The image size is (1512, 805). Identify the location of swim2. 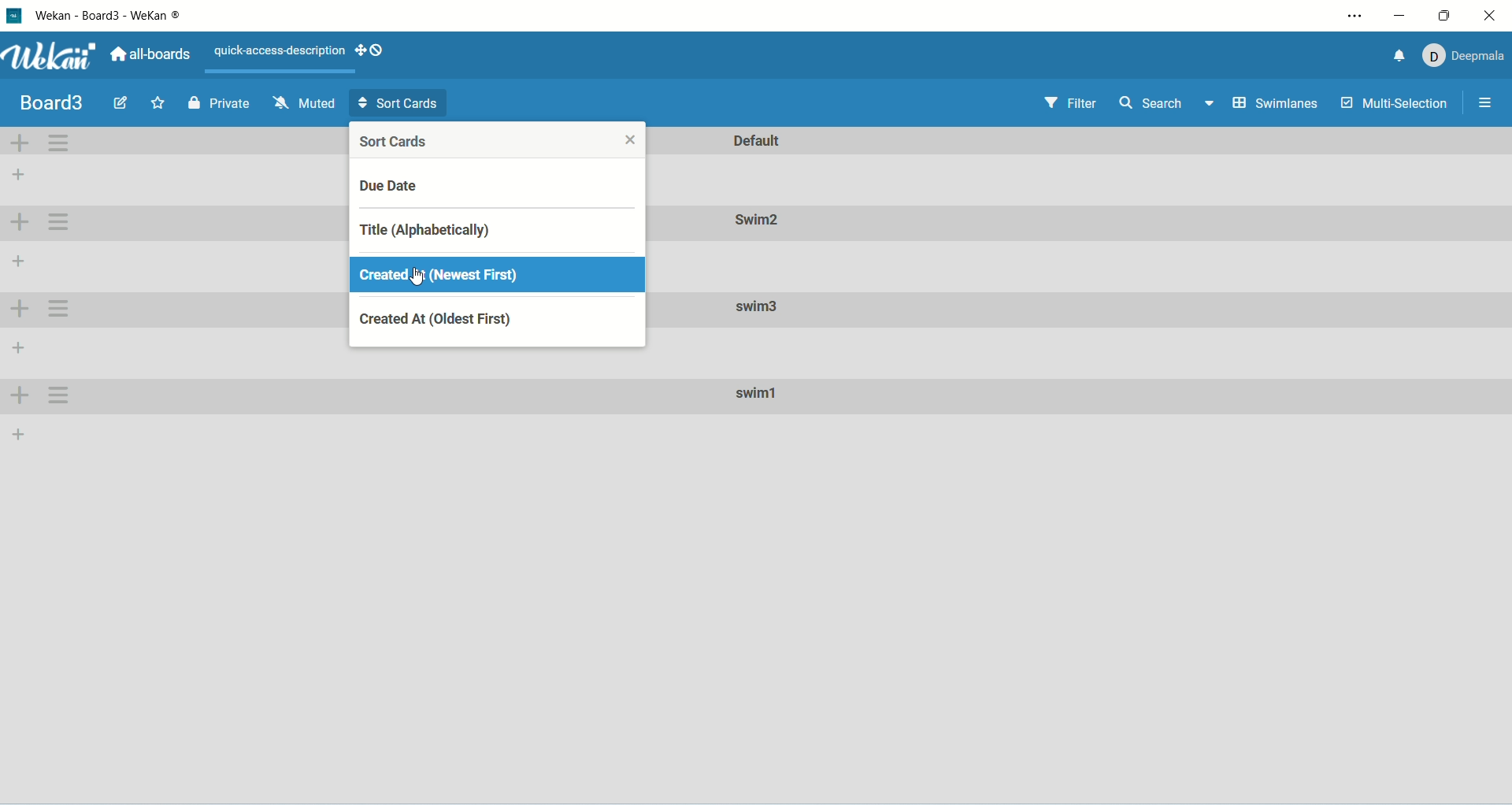
(754, 223).